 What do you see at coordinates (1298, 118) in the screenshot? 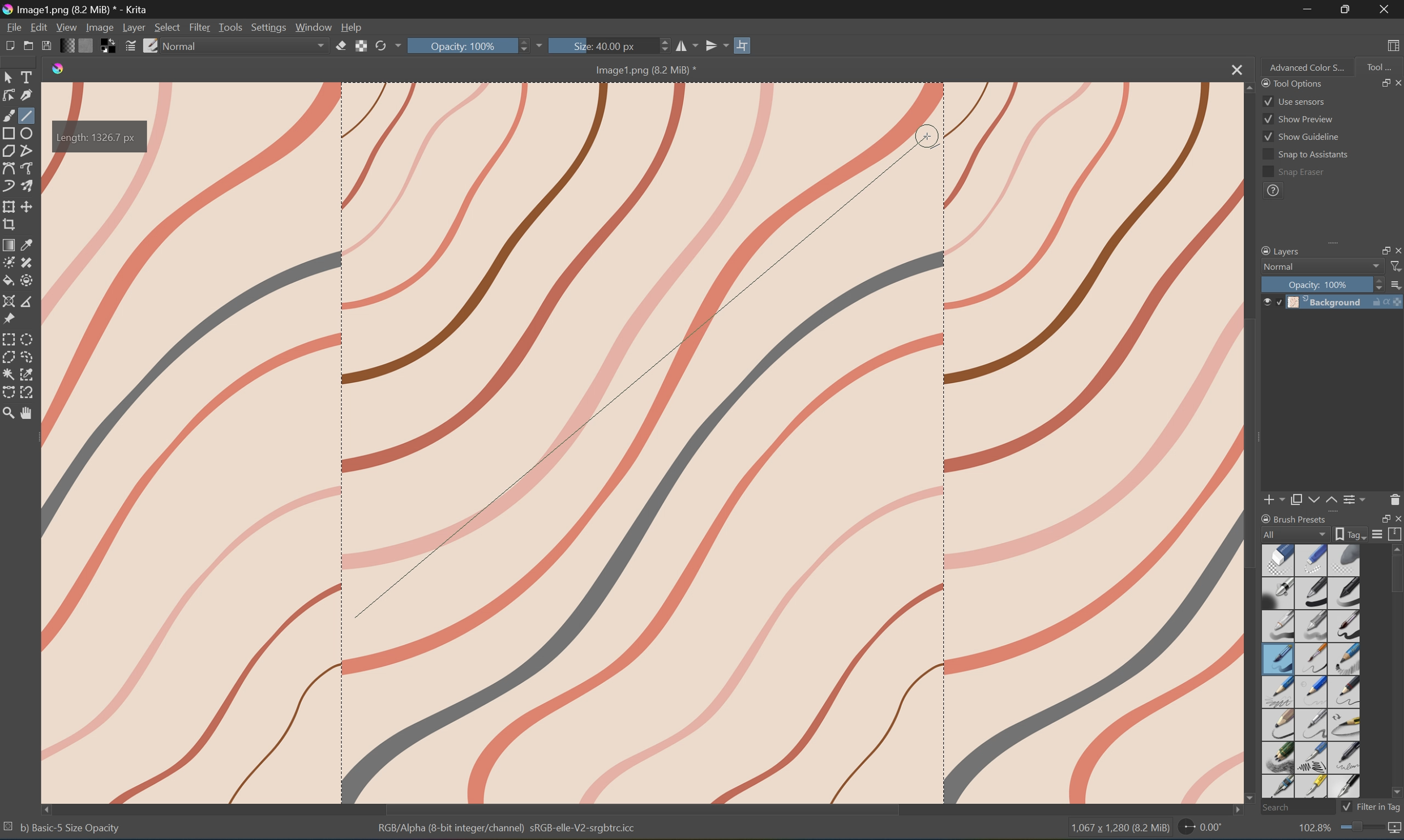
I see `Show preview` at bounding box center [1298, 118].